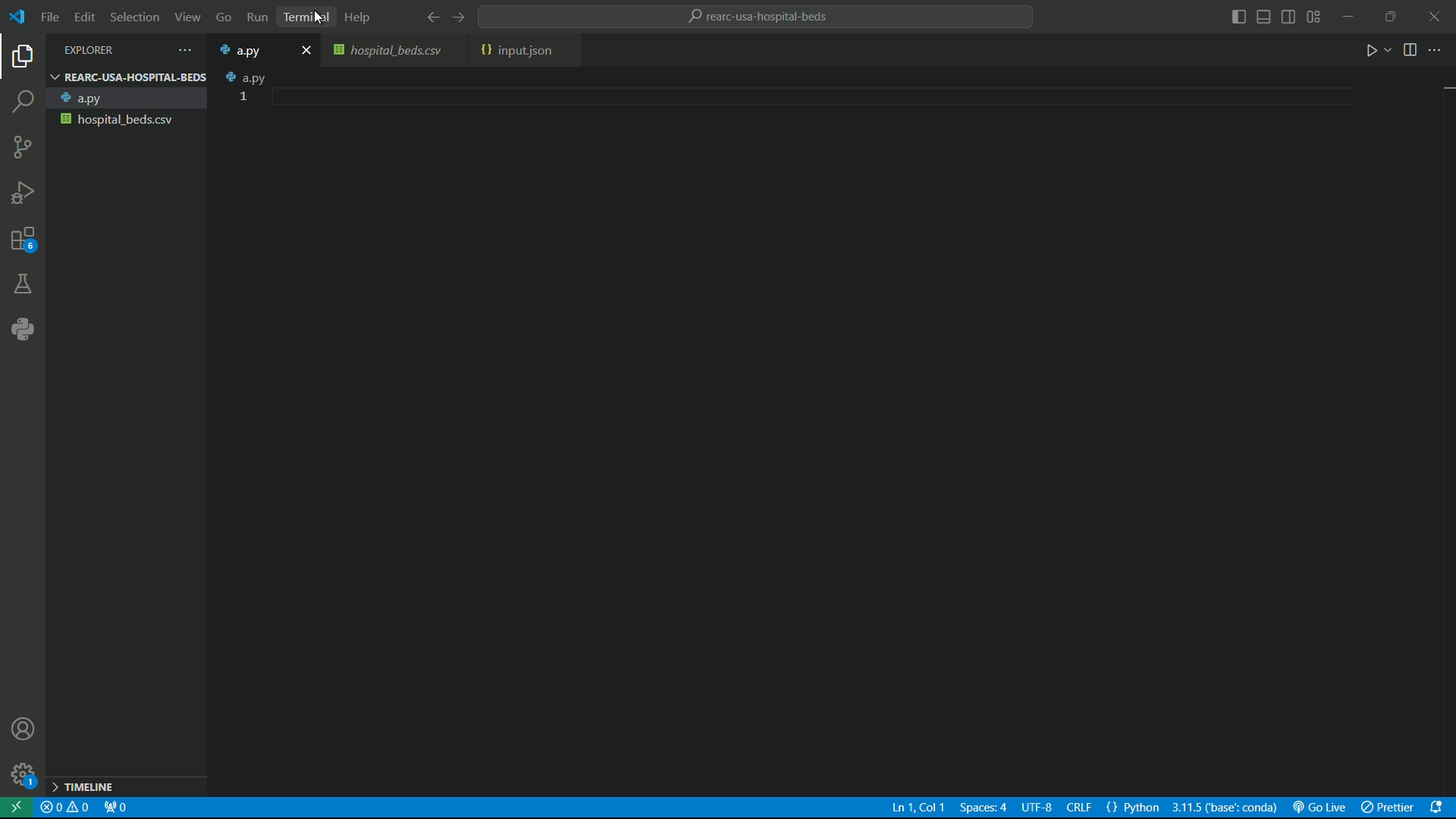 The height and width of the screenshot is (819, 1456). I want to click on account, so click(25, 730).